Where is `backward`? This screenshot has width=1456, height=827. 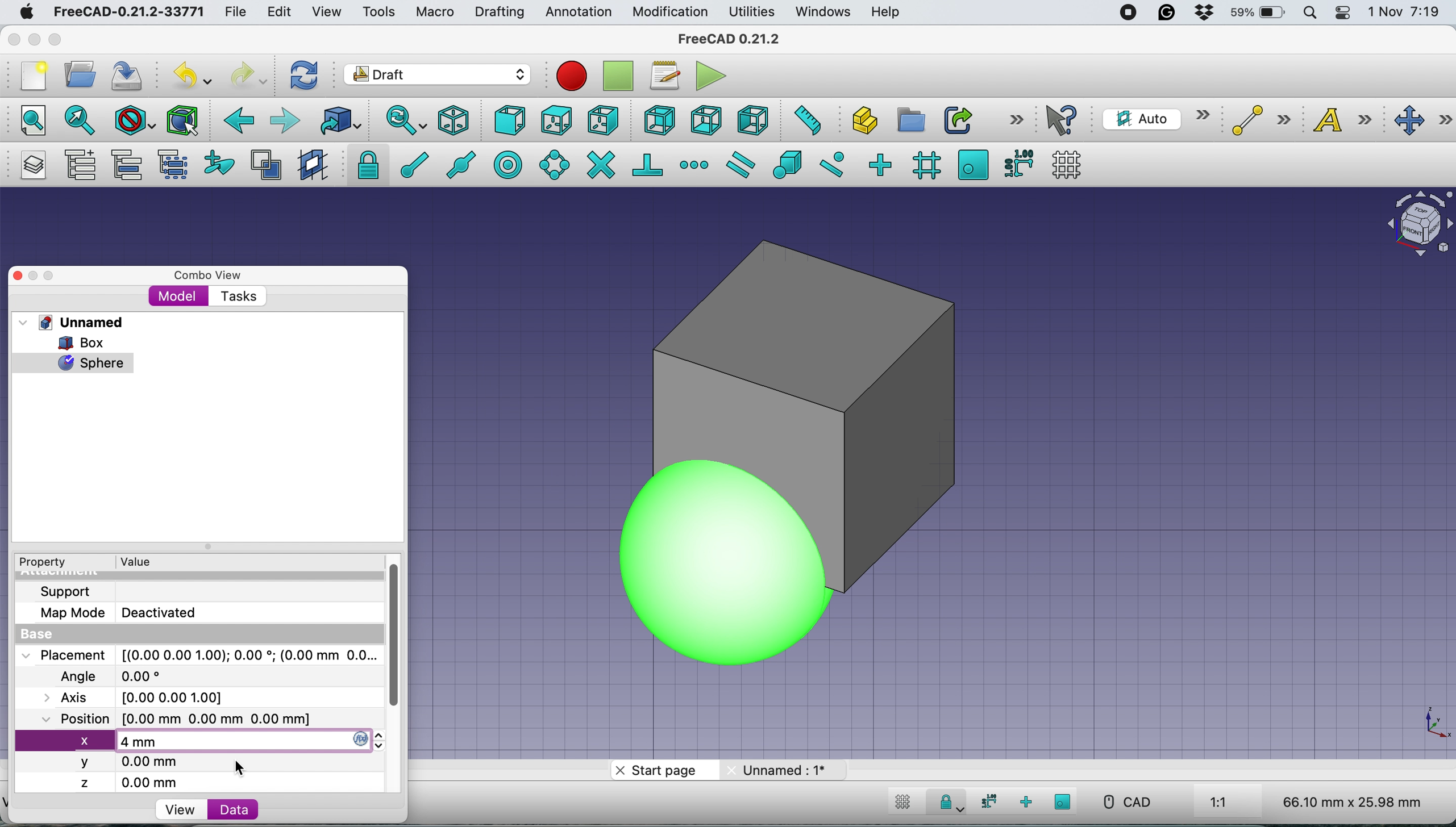 backward is located at coordinates (236, 120).